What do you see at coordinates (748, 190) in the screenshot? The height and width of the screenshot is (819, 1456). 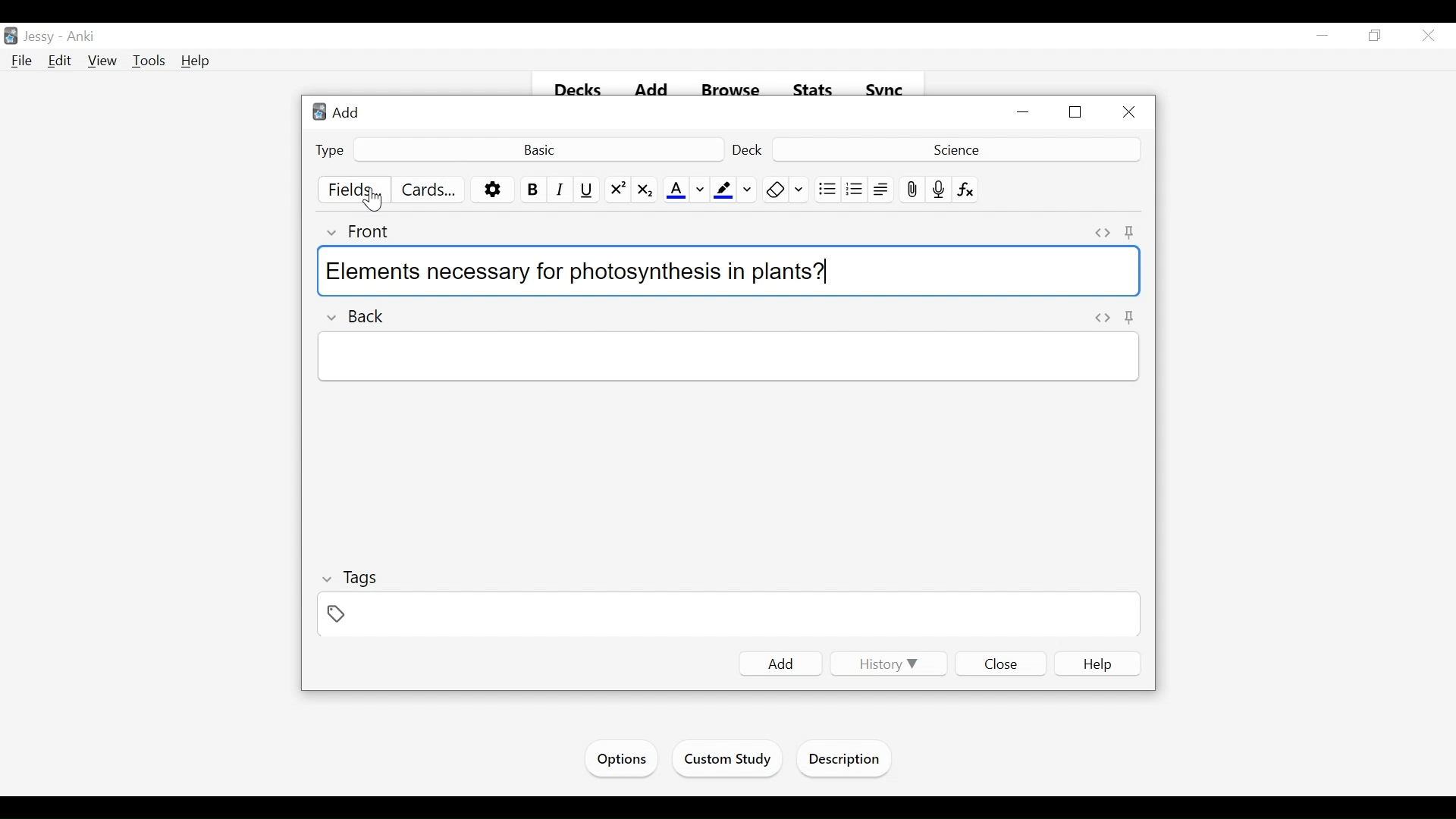 I see `Change Color` at bounding box center [748, 190].